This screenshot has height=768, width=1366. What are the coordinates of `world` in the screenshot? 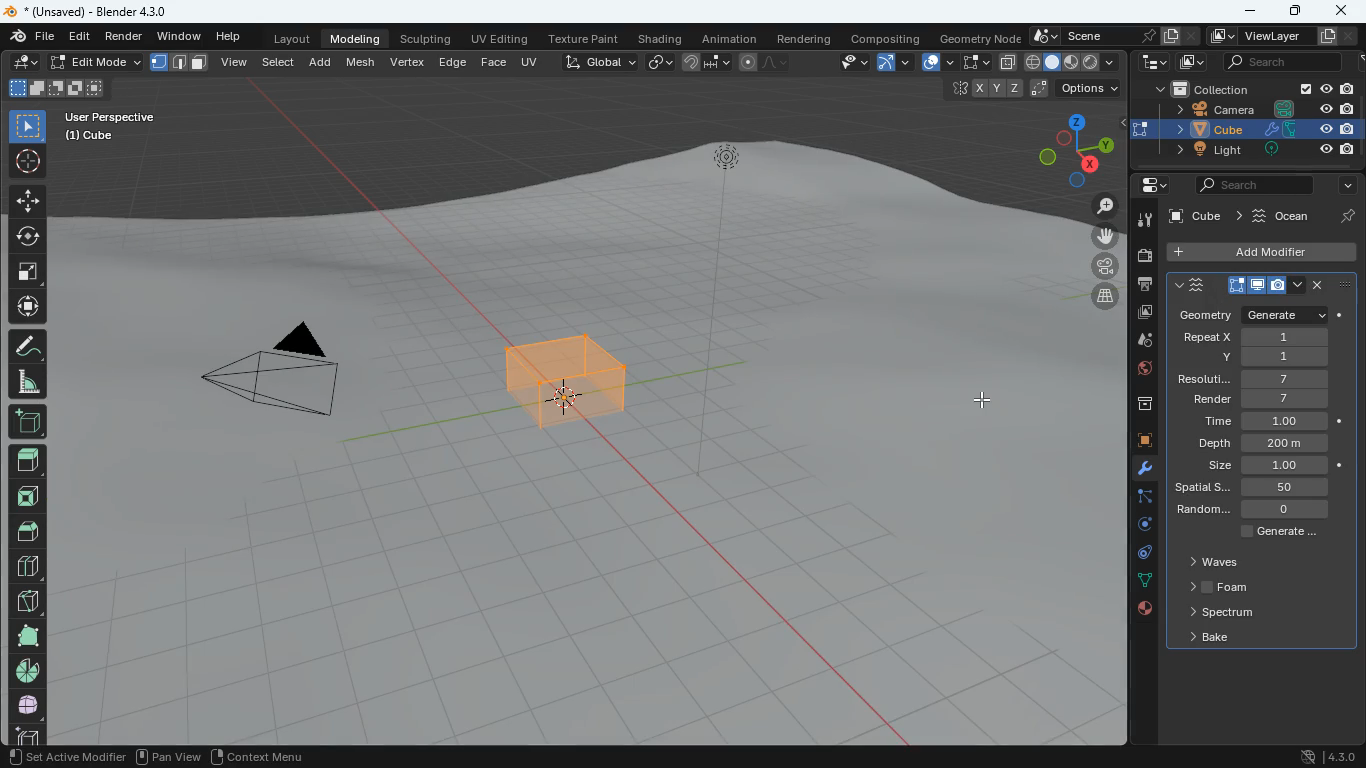 It's located at (1139, 371).